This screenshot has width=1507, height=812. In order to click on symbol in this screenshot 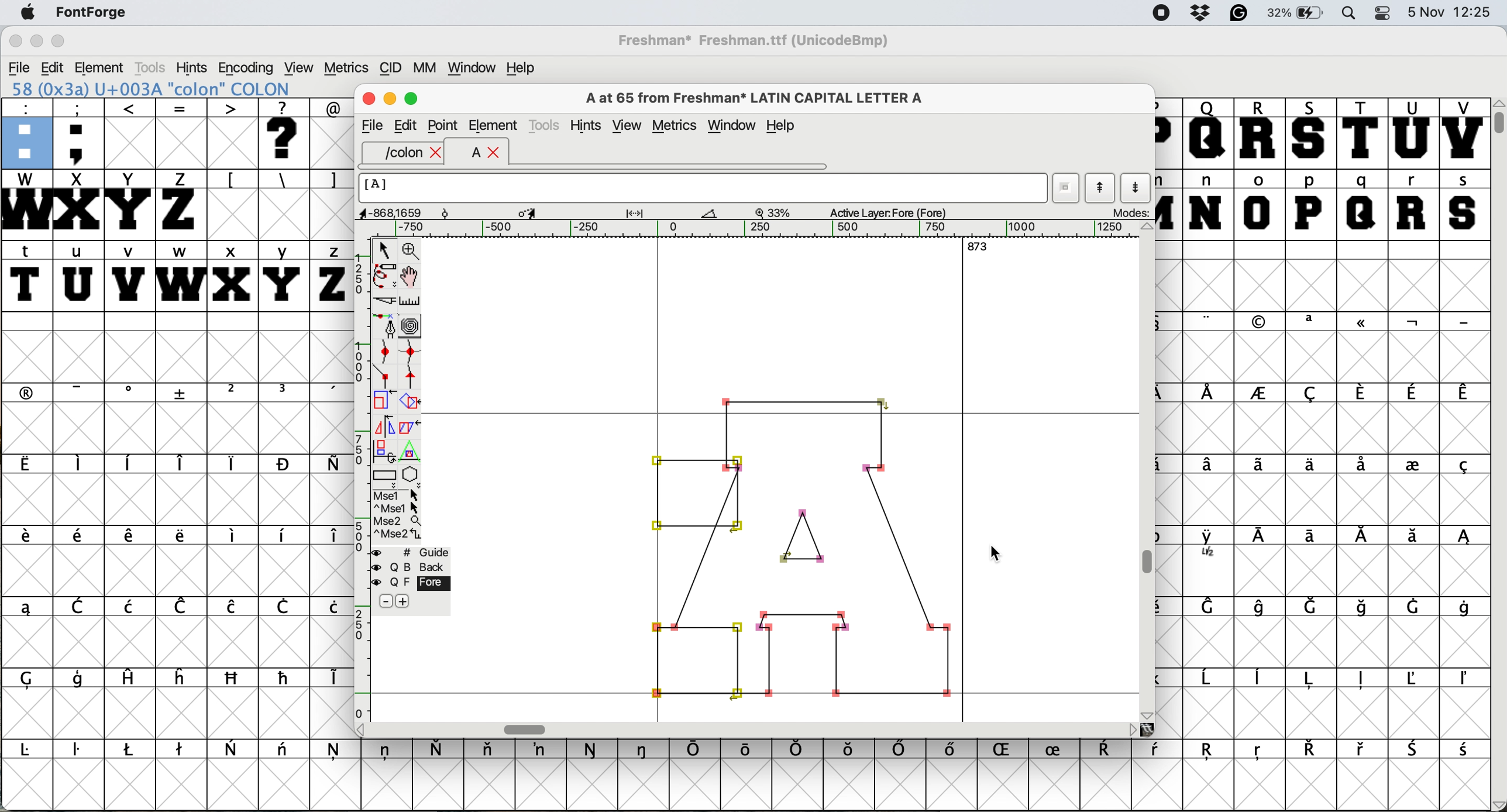, I will do `click(696, 750)`.